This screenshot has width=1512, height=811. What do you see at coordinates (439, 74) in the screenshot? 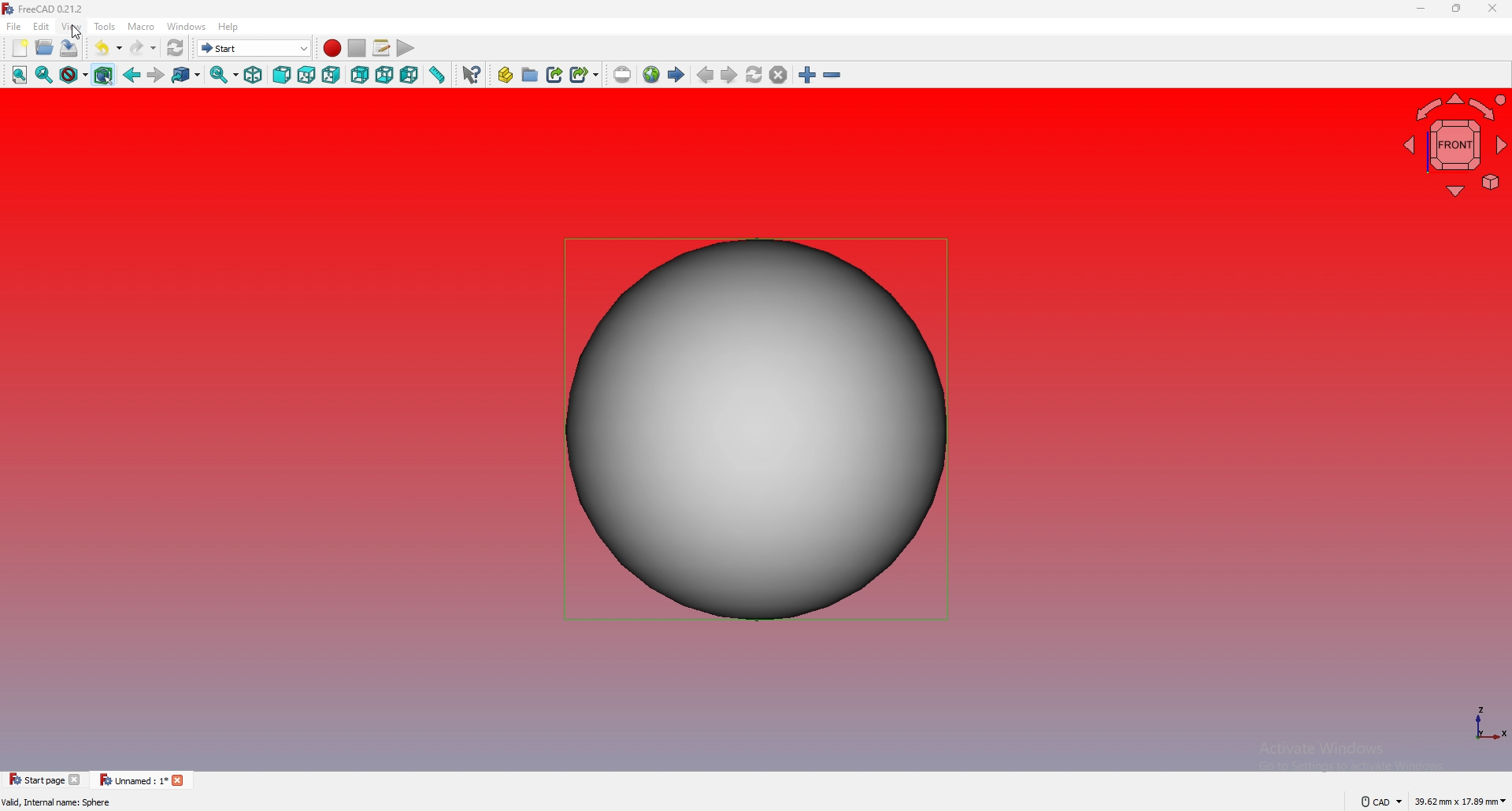
I see `measure distance` at bounding box center [439, 74].